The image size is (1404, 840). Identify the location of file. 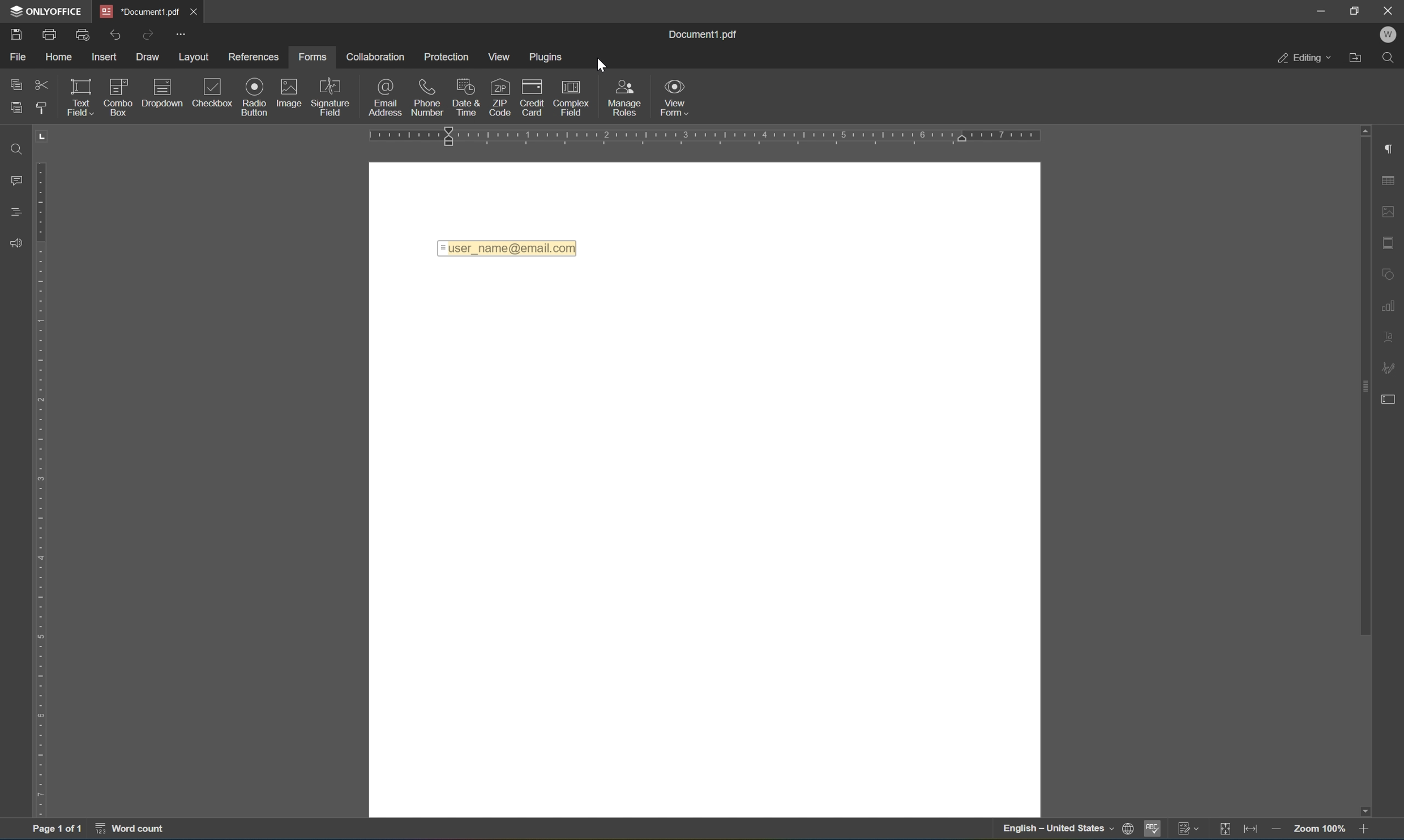
(19, 57).